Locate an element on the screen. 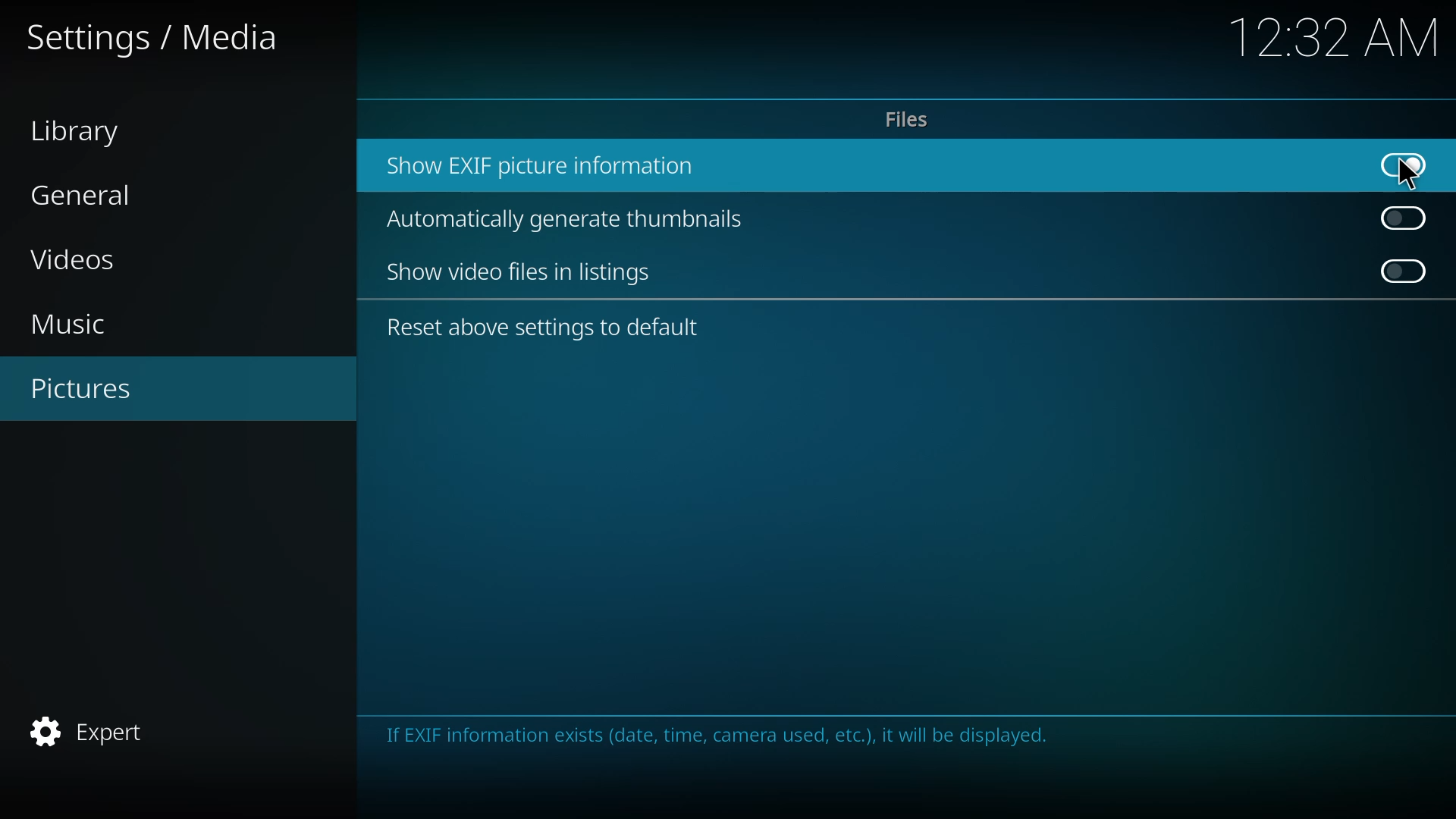 This screenshot has height=819, width=1456. show video files in listing is located at coordinates (523, 271).